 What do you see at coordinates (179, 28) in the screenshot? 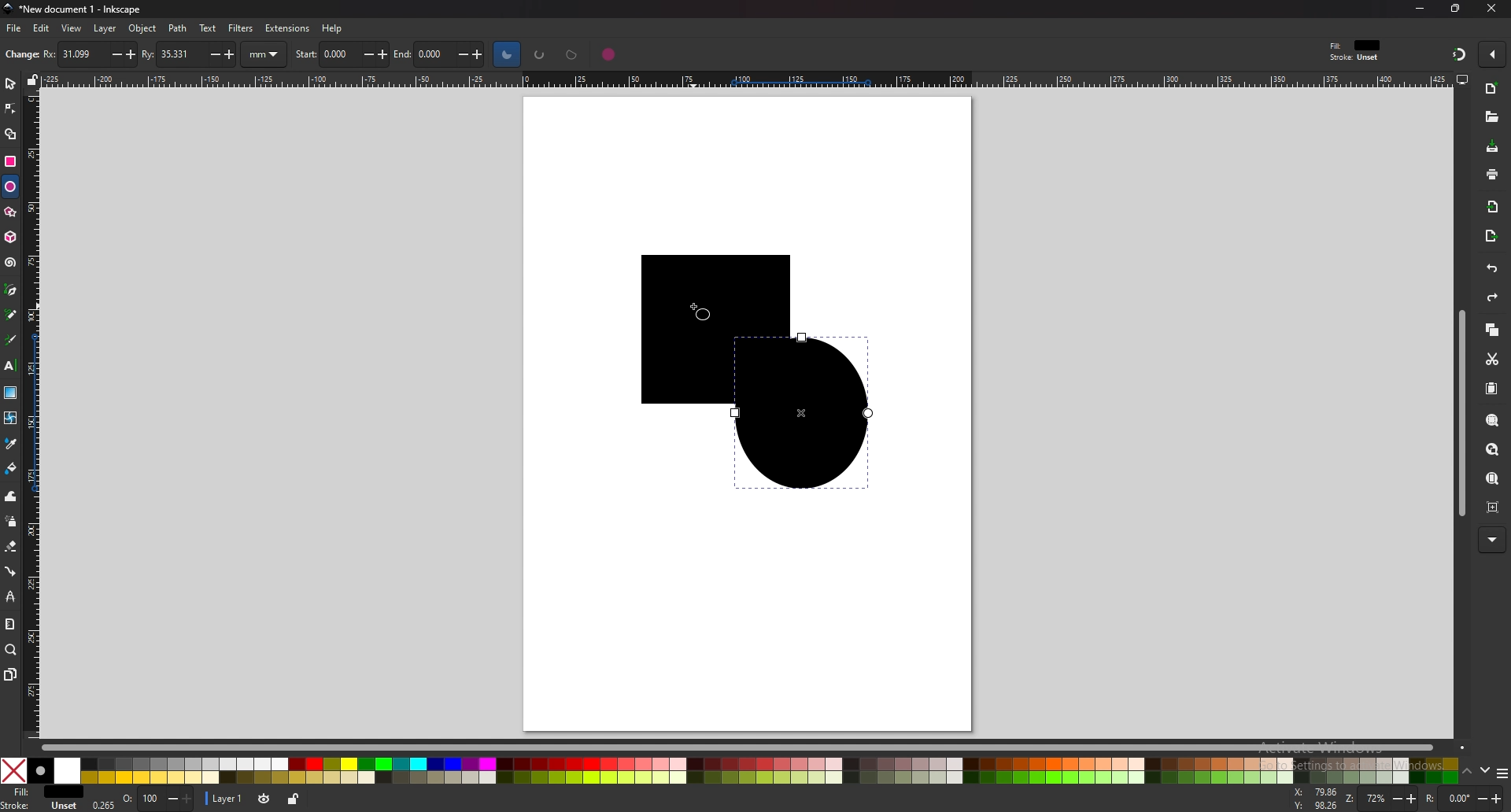
I see `path` at bounding box center [179, 28].